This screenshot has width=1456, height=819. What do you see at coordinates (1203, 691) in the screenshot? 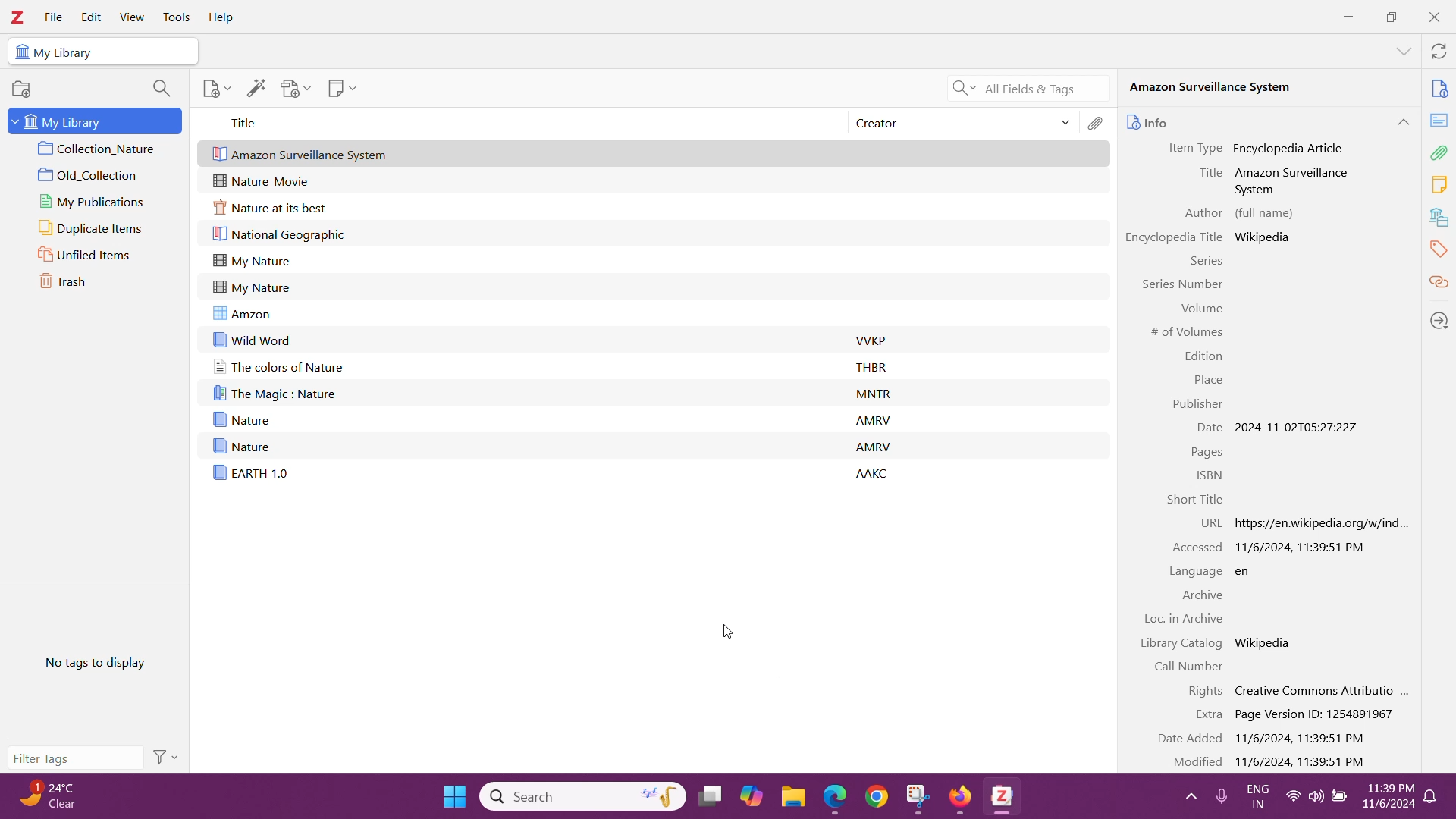
I see `Rights` at bounding box center [1203, 691].